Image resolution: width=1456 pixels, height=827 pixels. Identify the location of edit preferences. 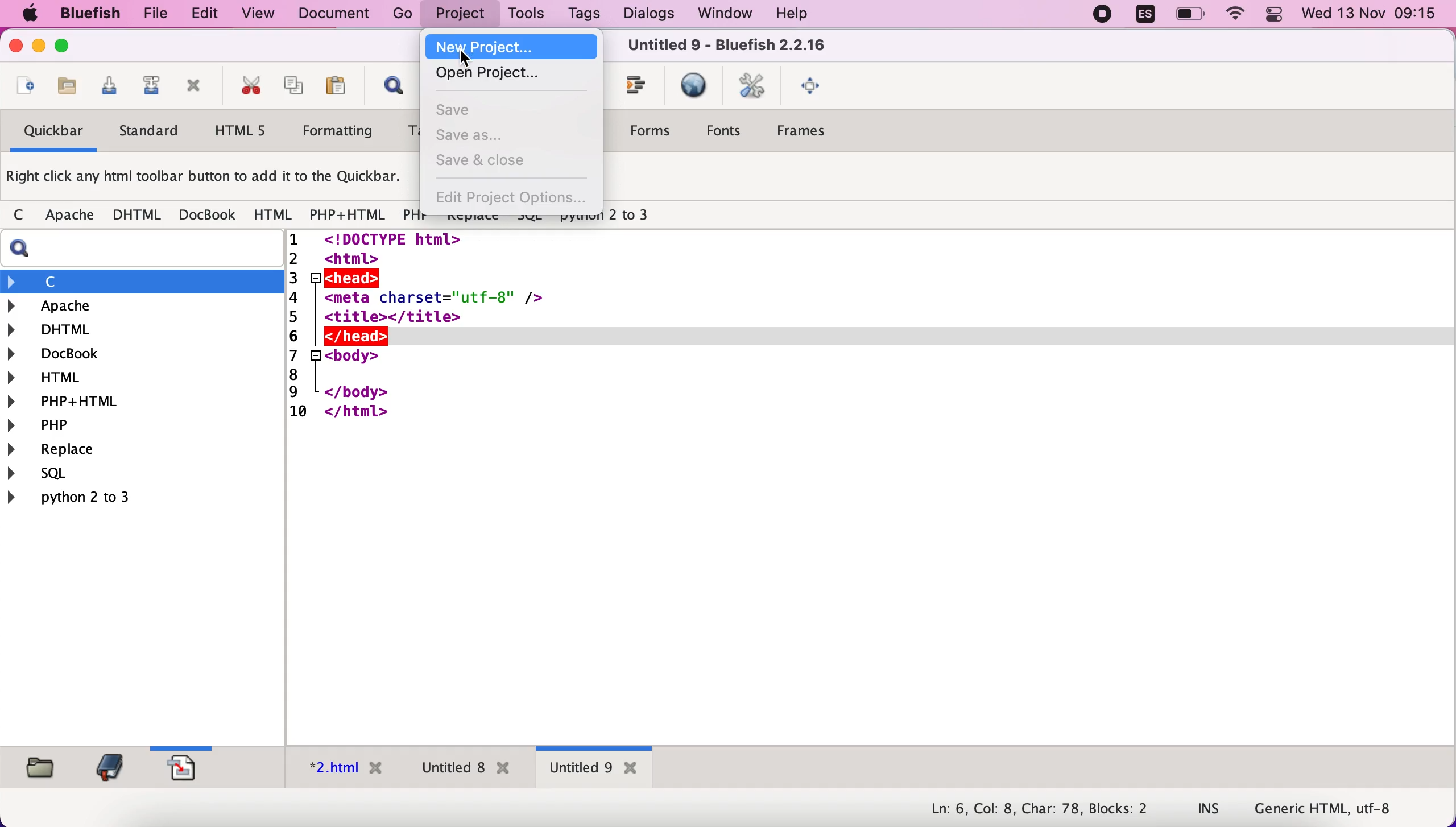
(754, 88).